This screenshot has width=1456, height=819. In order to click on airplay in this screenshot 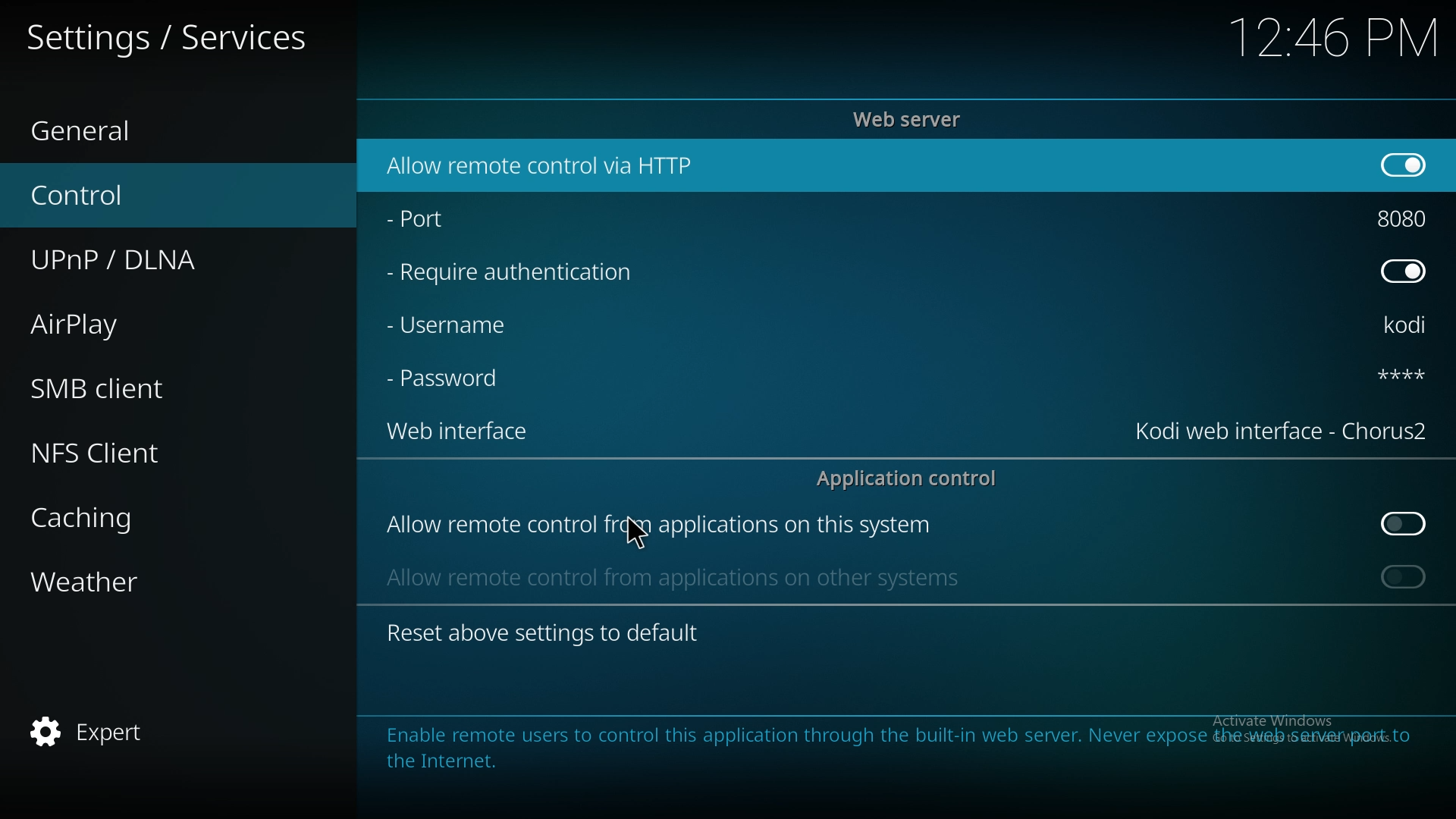, I will do `click(130, 322)`.